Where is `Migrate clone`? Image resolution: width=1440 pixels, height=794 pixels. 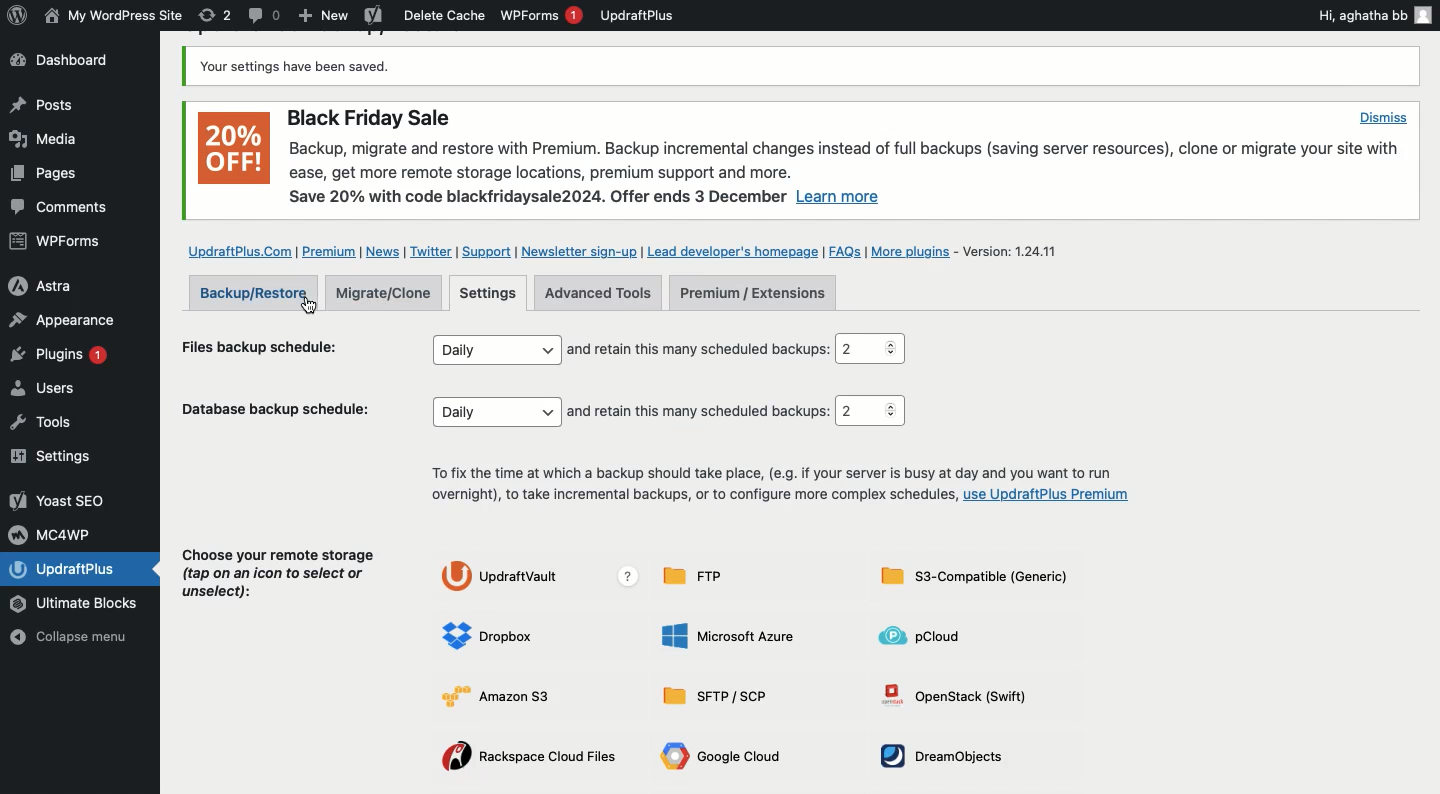
Migrate clone is located at coordinates (387, 292).